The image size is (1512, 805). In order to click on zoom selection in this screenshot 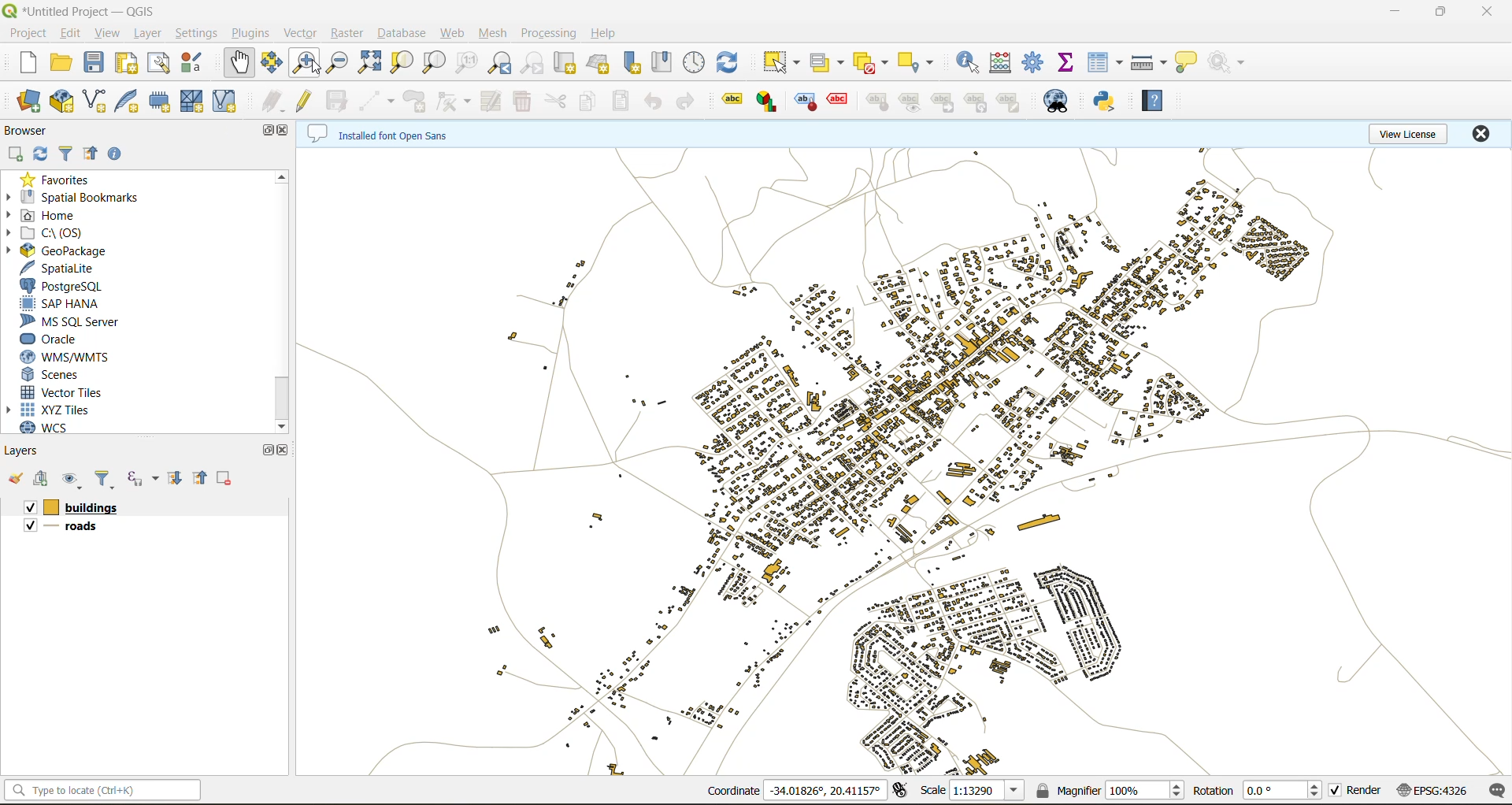, I will do `click(402, 61)`.